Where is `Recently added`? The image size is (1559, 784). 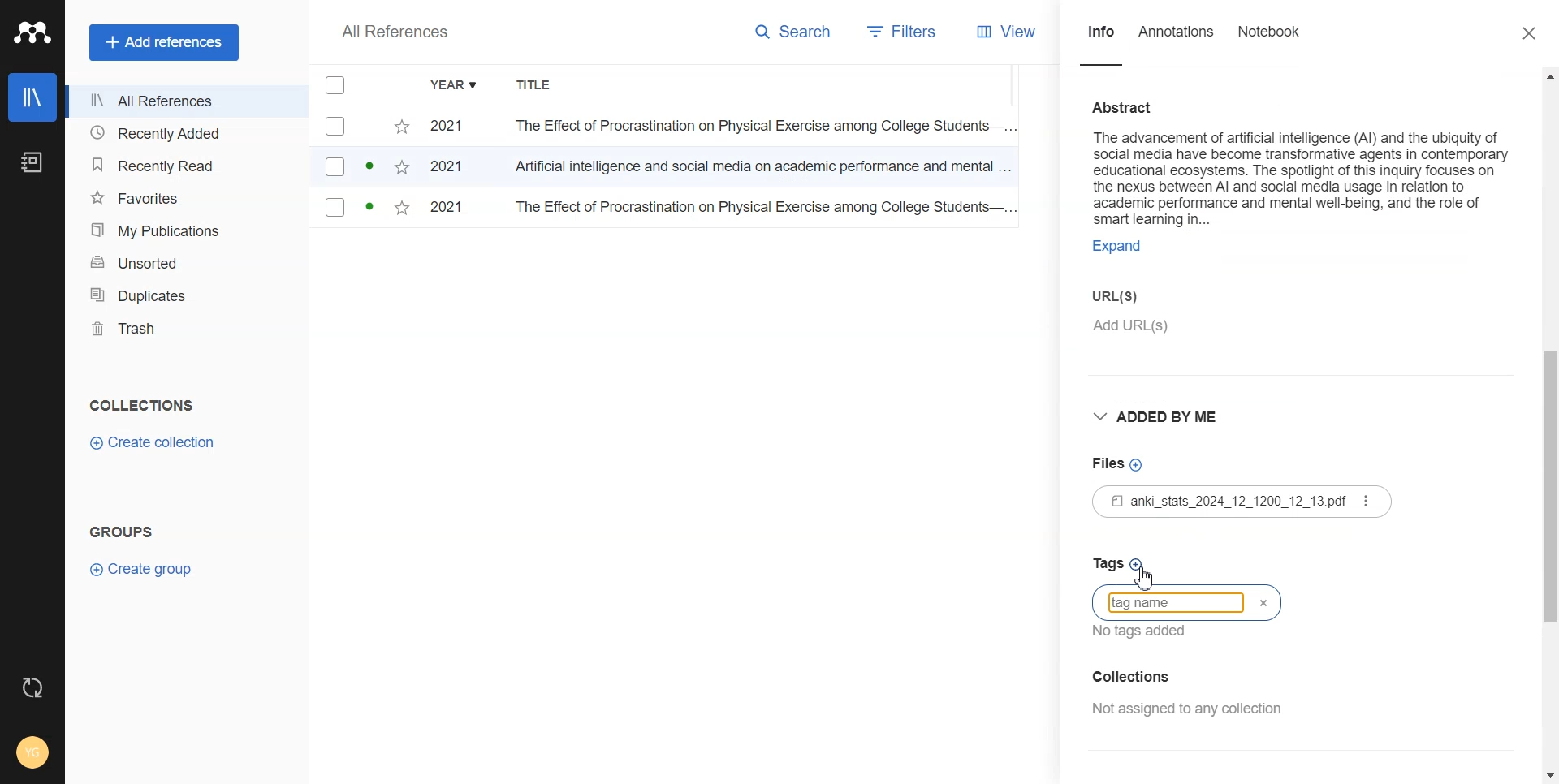 Recently added is located at coordinates (185, 134).